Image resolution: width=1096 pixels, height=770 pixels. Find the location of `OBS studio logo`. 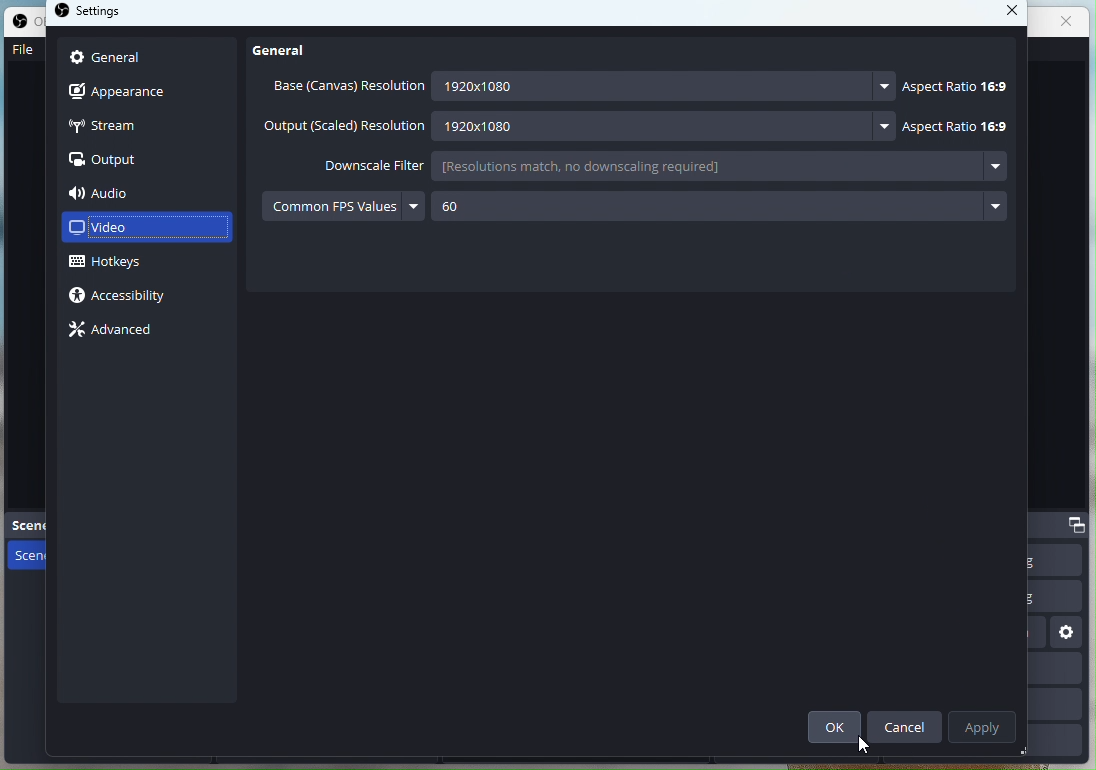

OBS studio logo is located at coordinates (63, 13).